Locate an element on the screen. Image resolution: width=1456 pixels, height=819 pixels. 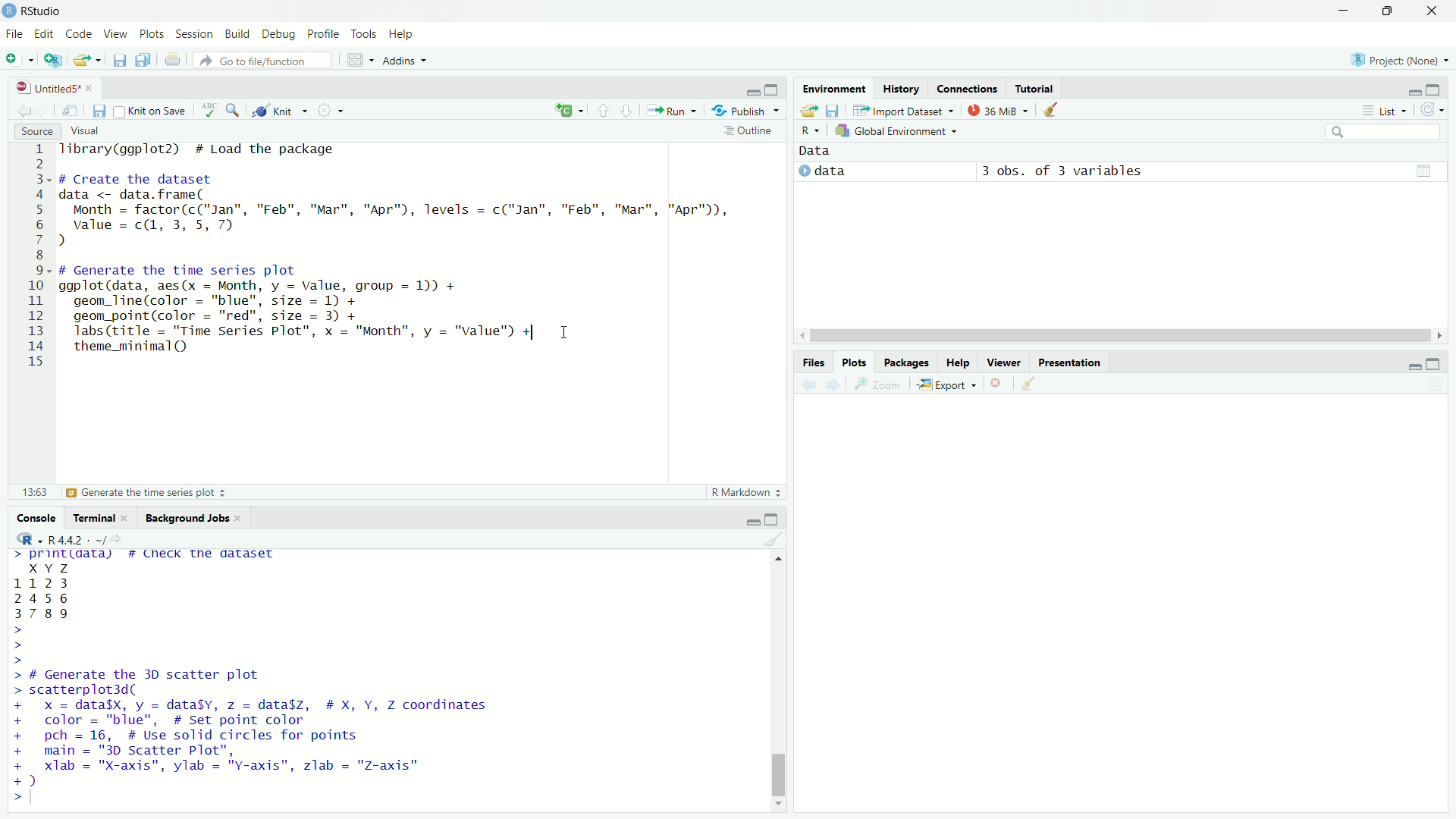
settings is located at coordinates (334, 114).